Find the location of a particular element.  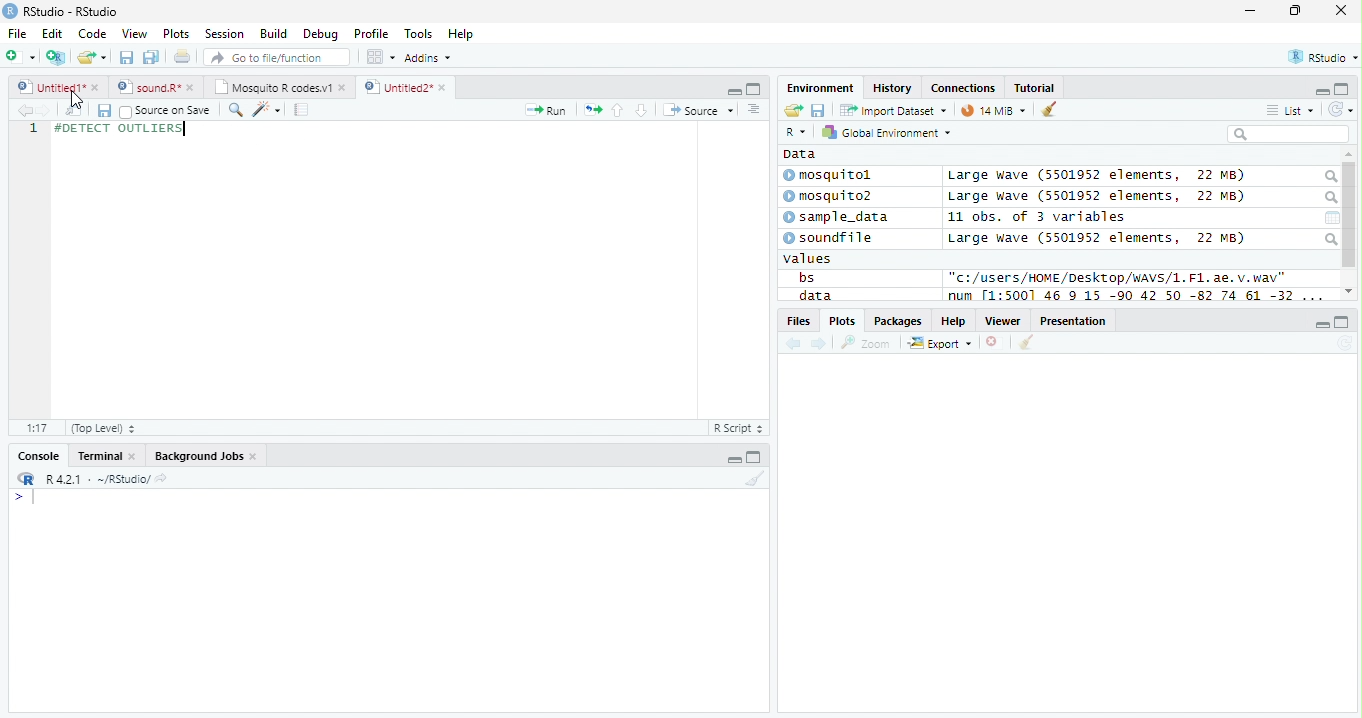

search is located at coordinates (1329, 177).